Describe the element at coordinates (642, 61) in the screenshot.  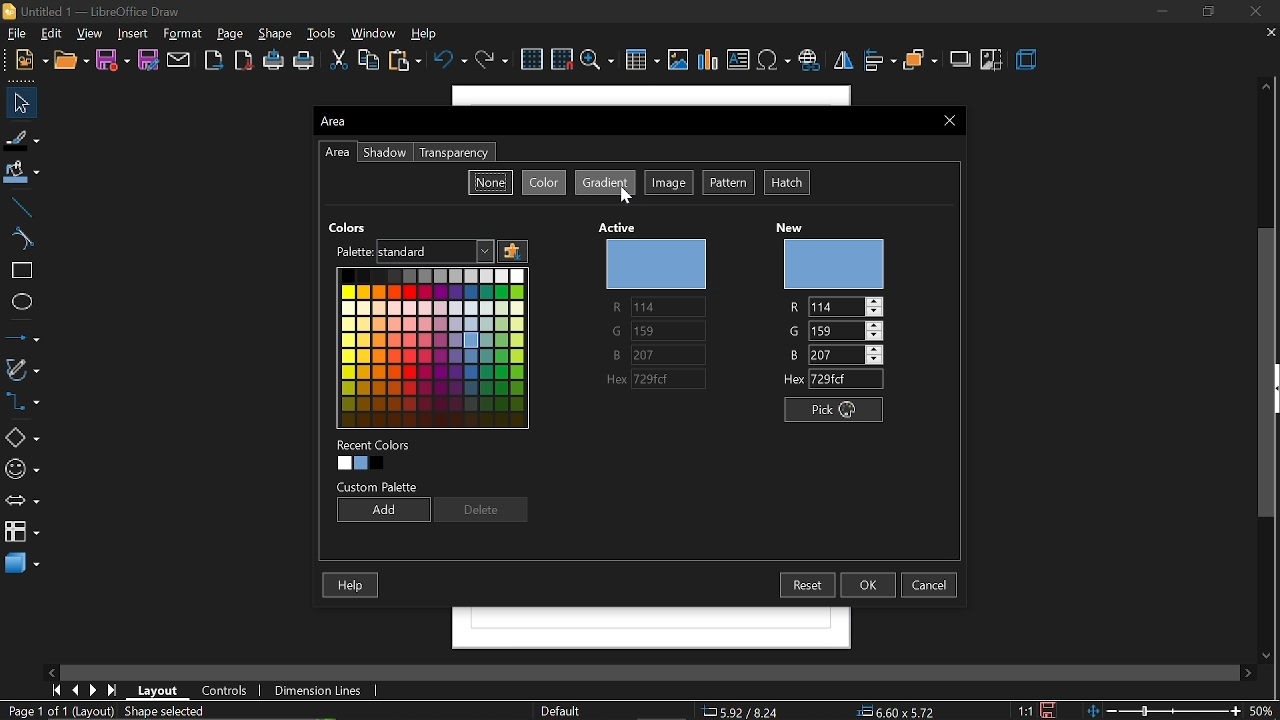
I see `Insert table` at that location.